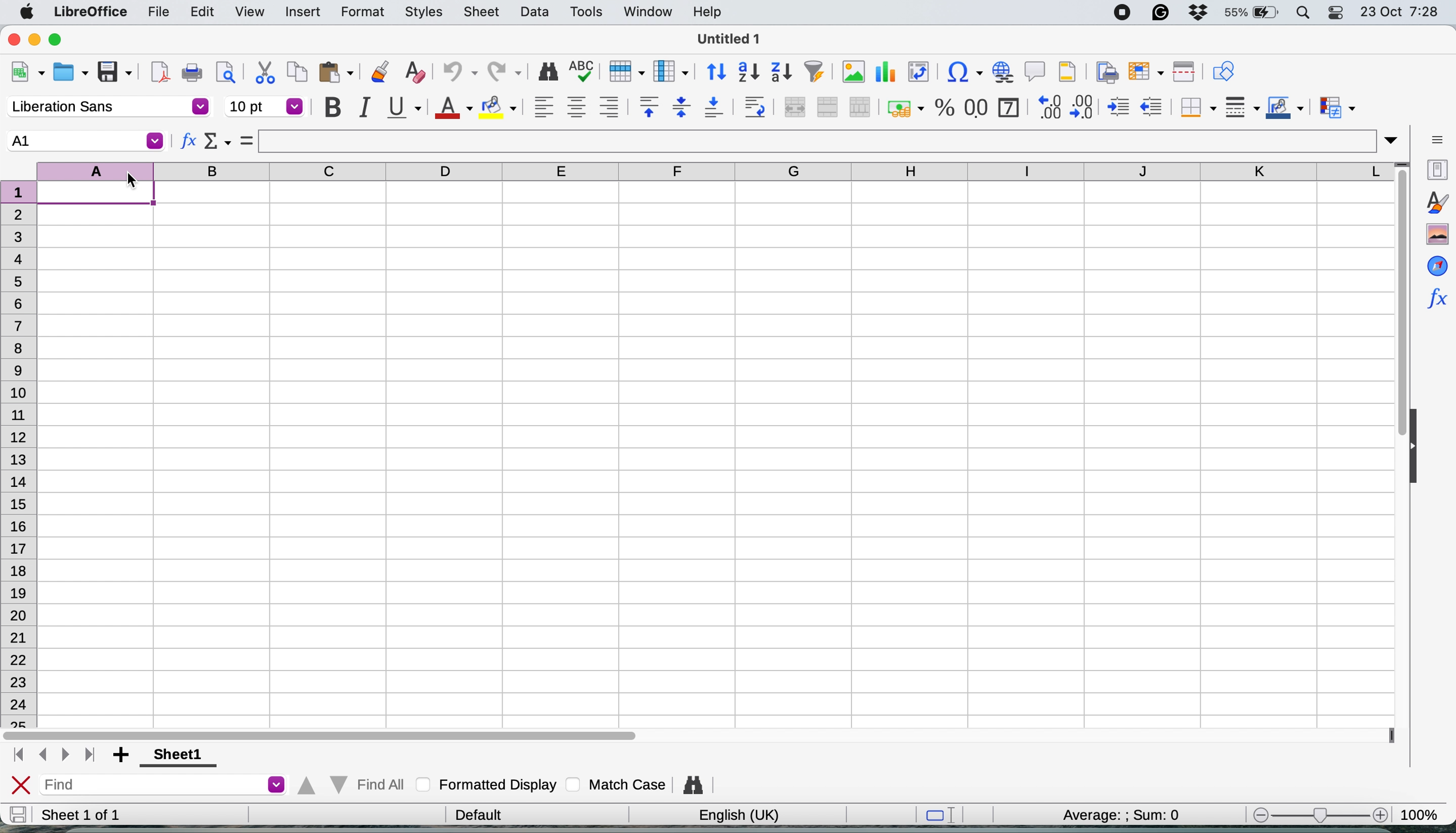 This screenshot has height=833, width=1456. What do you see at coordinates (1400, 303) in the screenshot?
I see `vertical scroll bar` at bounding box center [1400, 303].